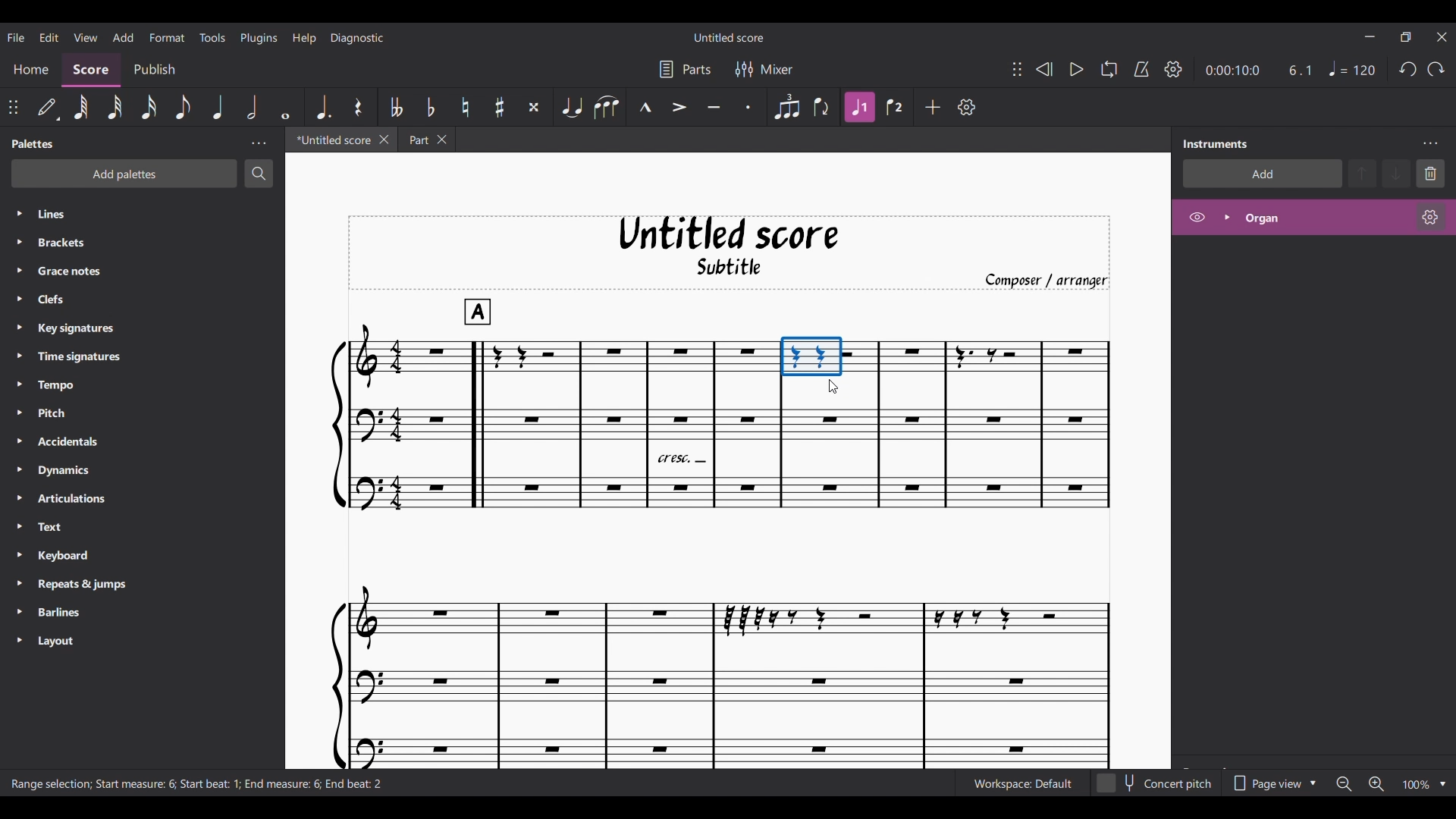 Image resolution: width=1456 pixels, height=819 pixels. I want to click on Panel title, so click(1216, 143).